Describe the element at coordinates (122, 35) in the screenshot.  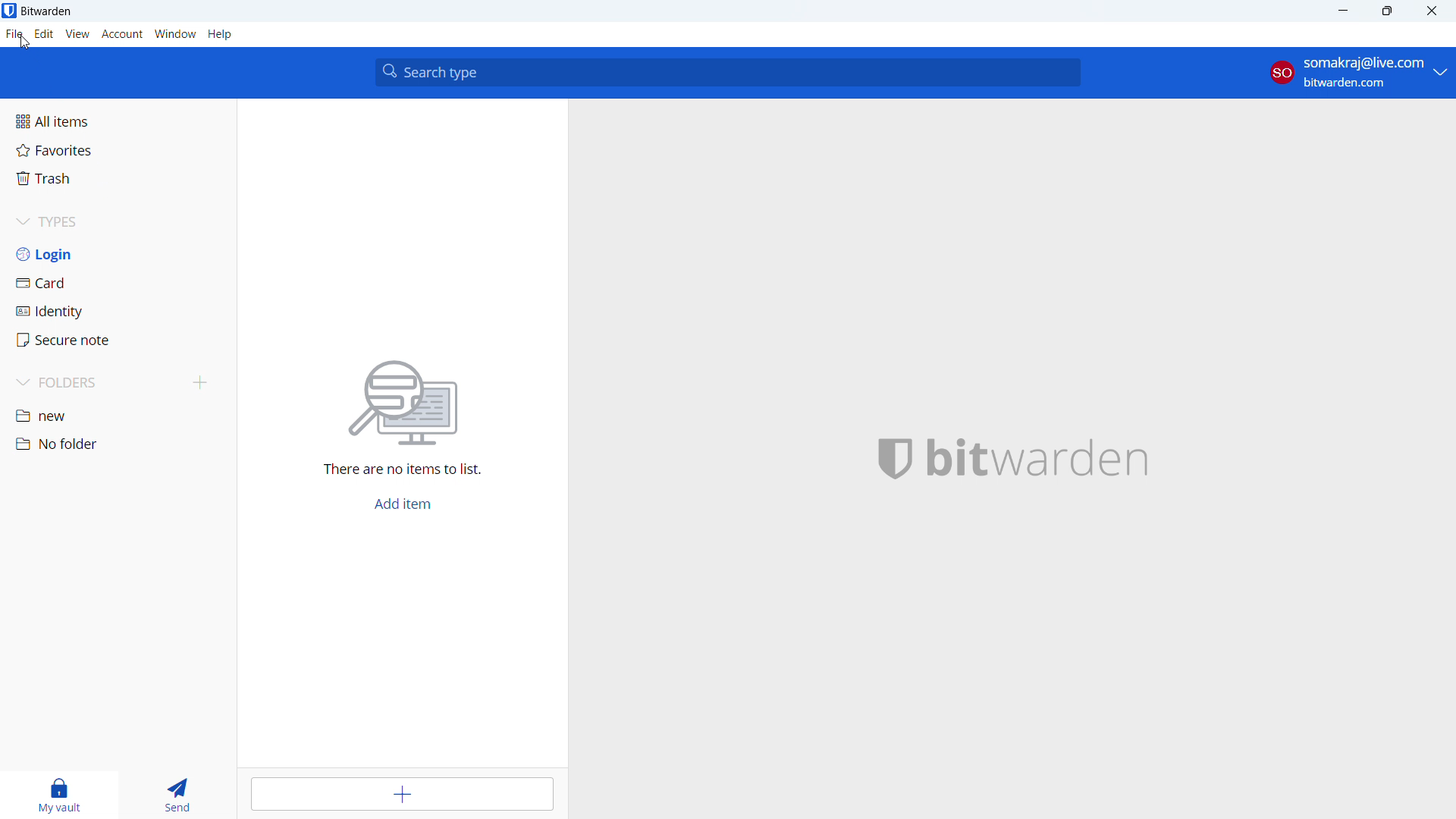
I see `account` at that location.